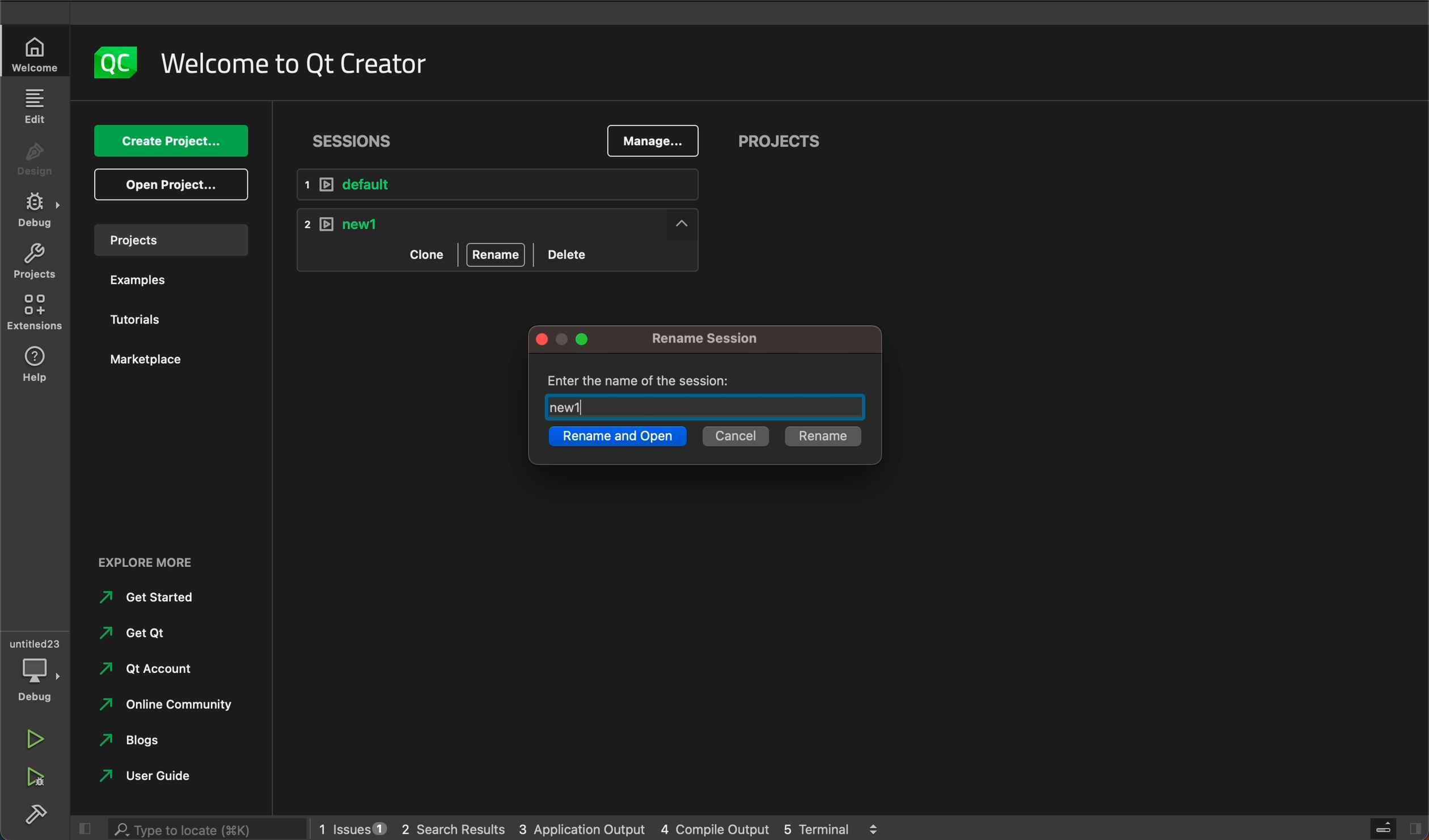 The height and width of the screenshot is (840, 1429). I want to click on logo, so click(108, 63).